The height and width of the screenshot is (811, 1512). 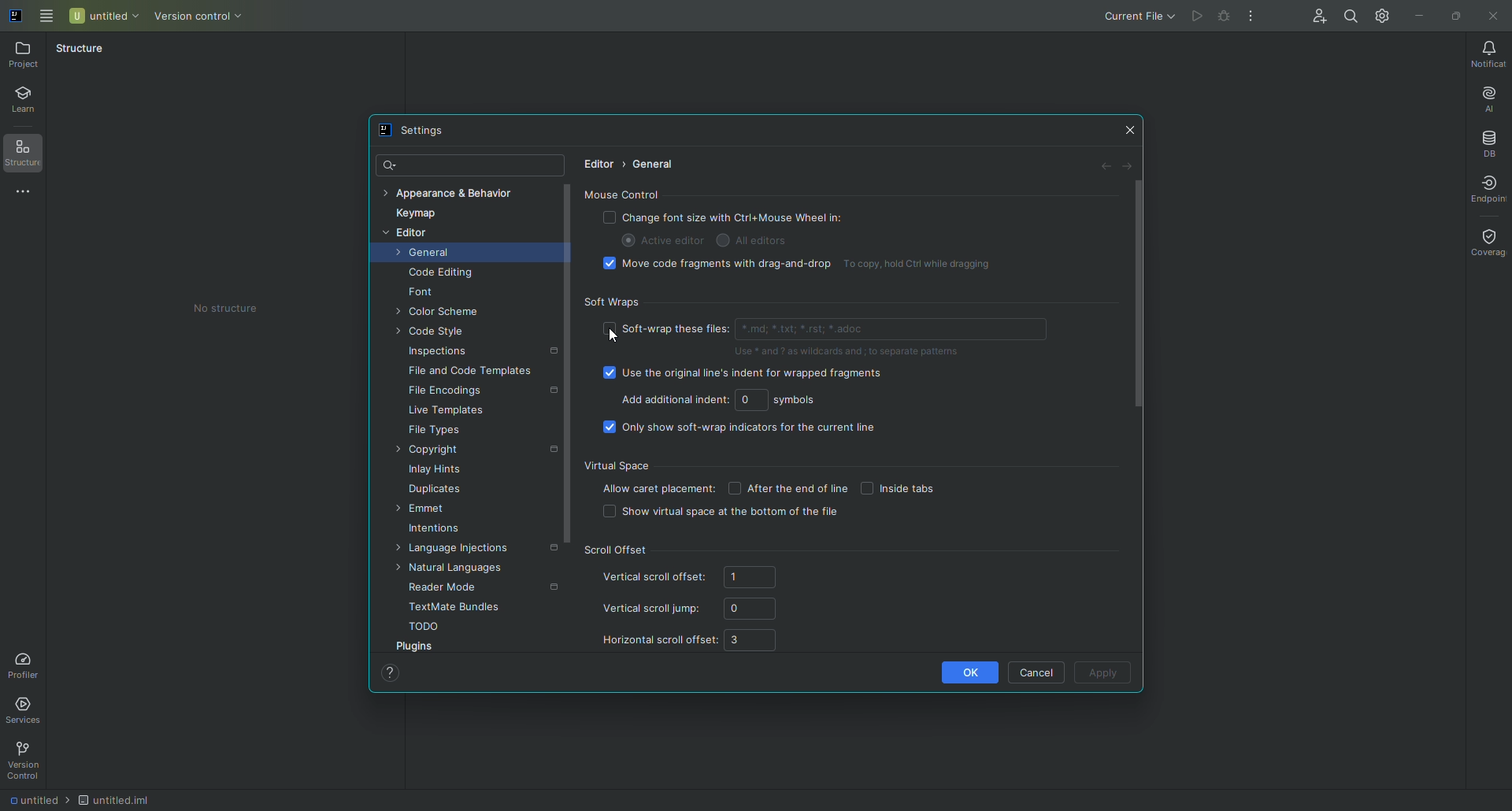 I want to click on Profiler, so click(x=26, y=664).